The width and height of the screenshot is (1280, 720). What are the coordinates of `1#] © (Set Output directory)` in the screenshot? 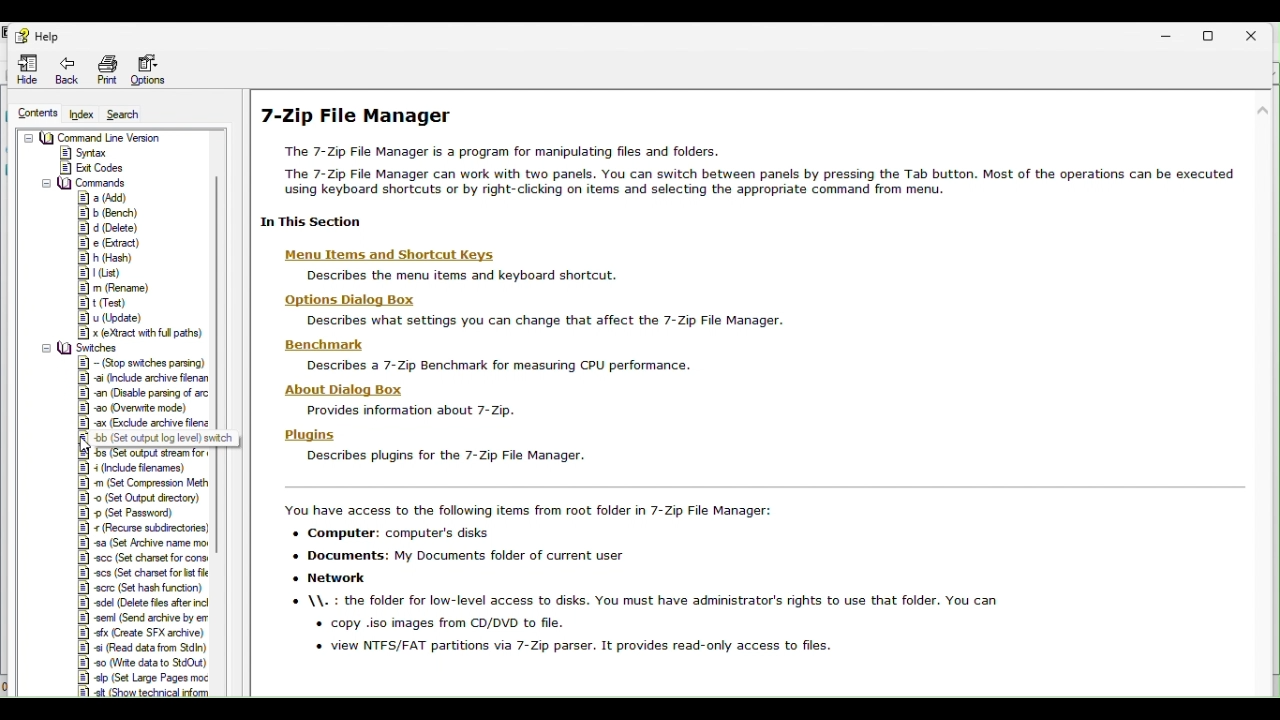 It's located at (143, 497).